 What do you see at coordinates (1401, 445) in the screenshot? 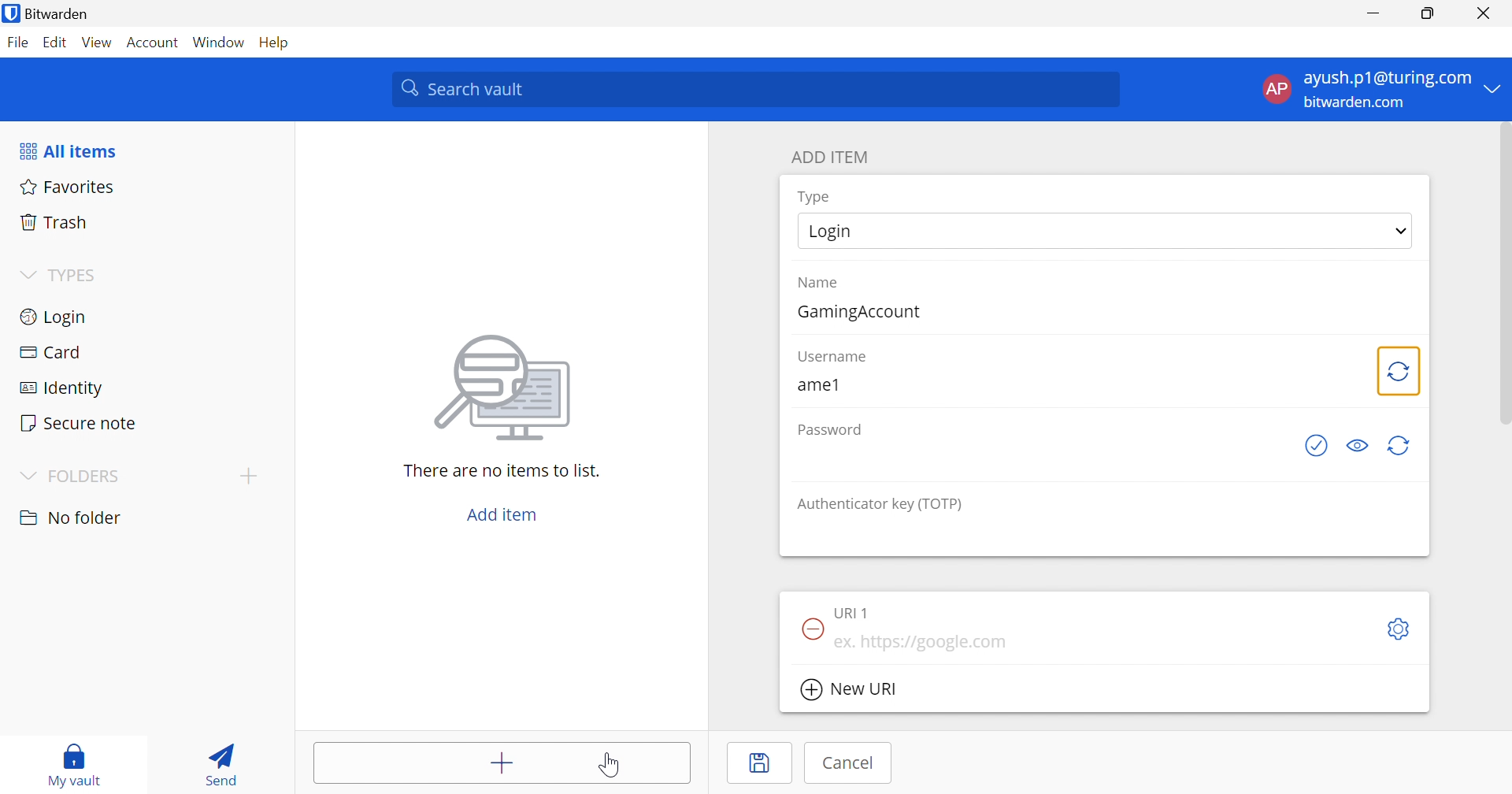
I see `Generate password` at bounding box center [1401, 445].